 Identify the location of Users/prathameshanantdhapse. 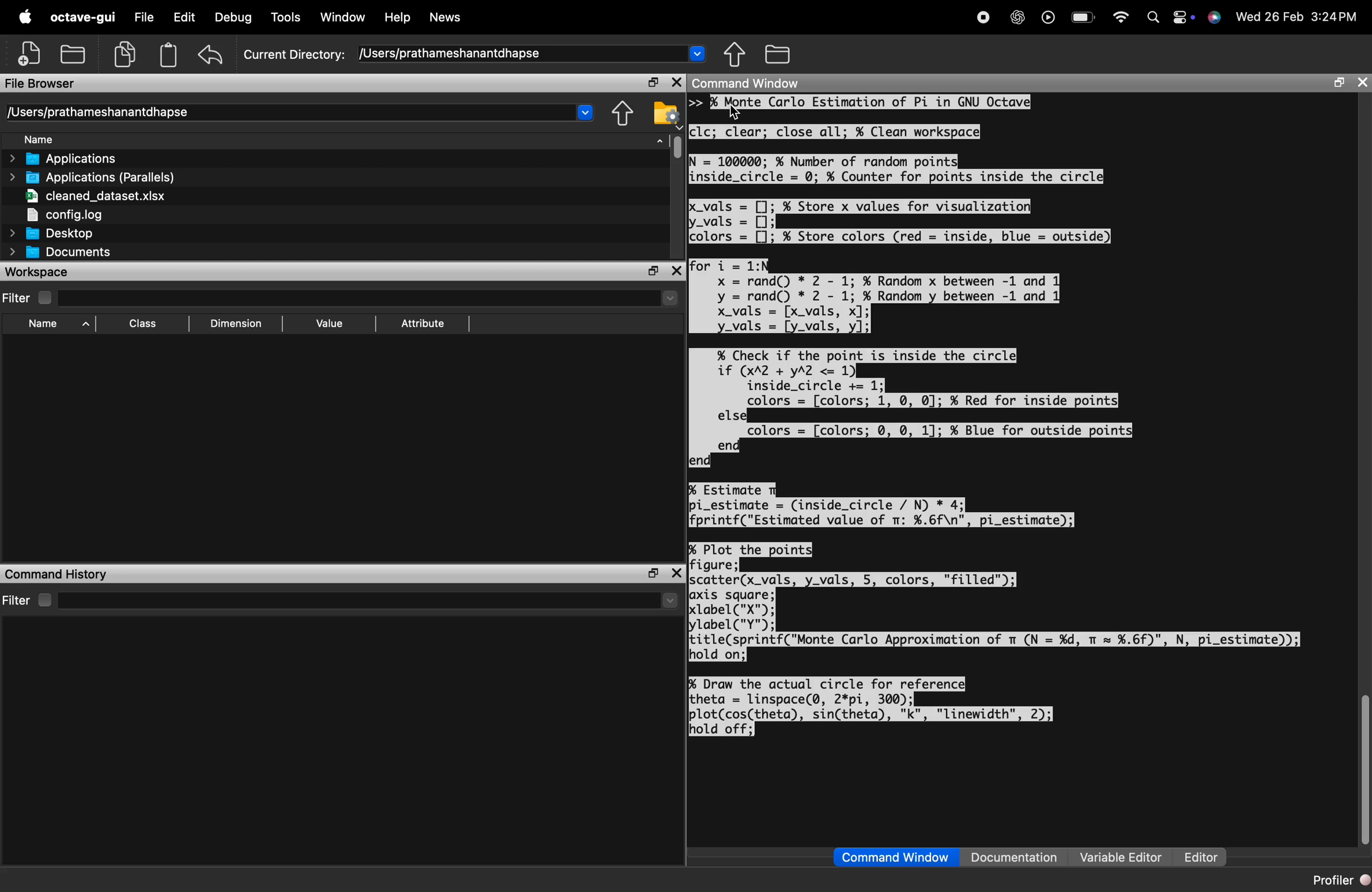
(302, 111).